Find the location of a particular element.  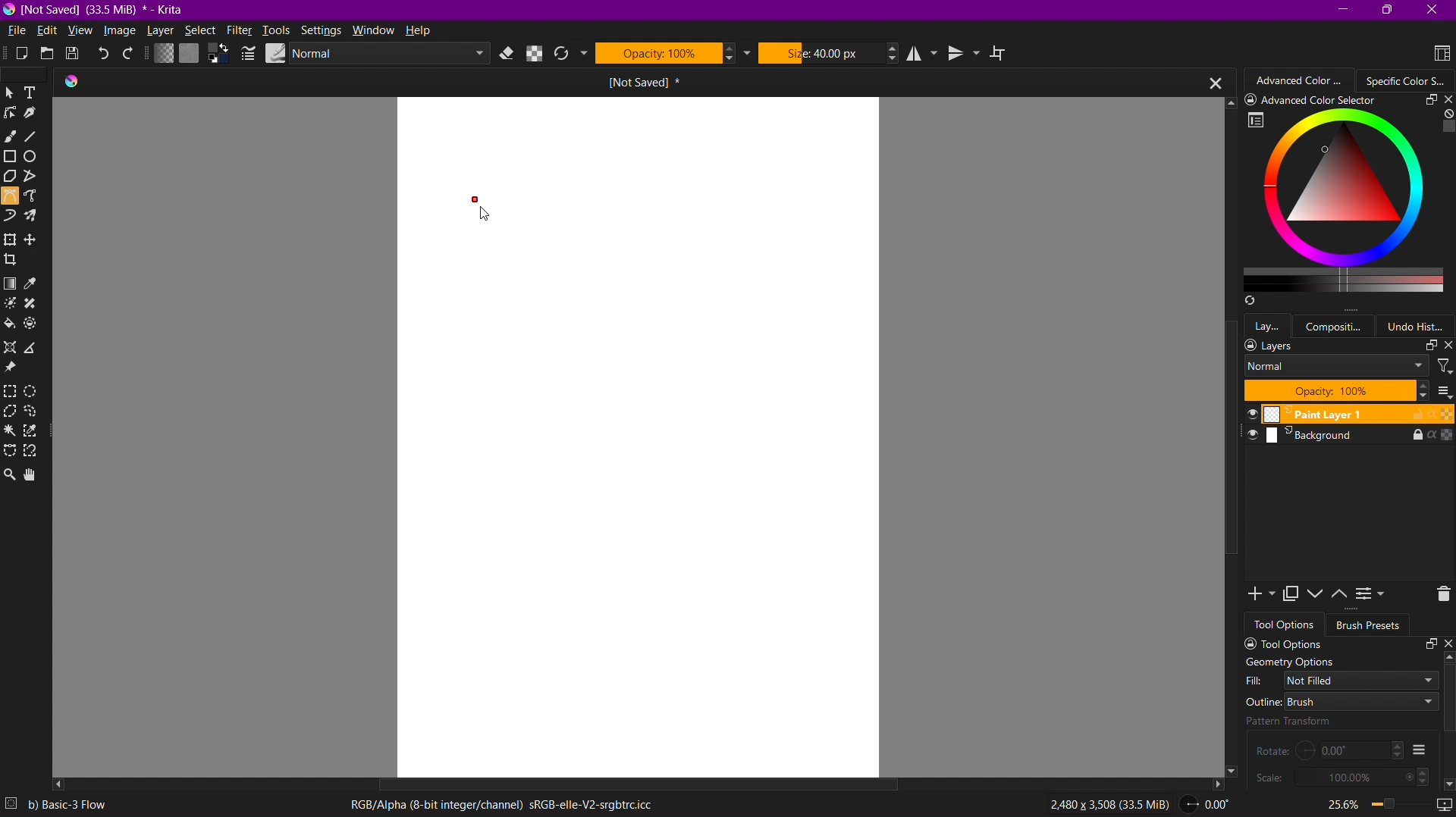

Scale is located at coordinates (1341, 777).